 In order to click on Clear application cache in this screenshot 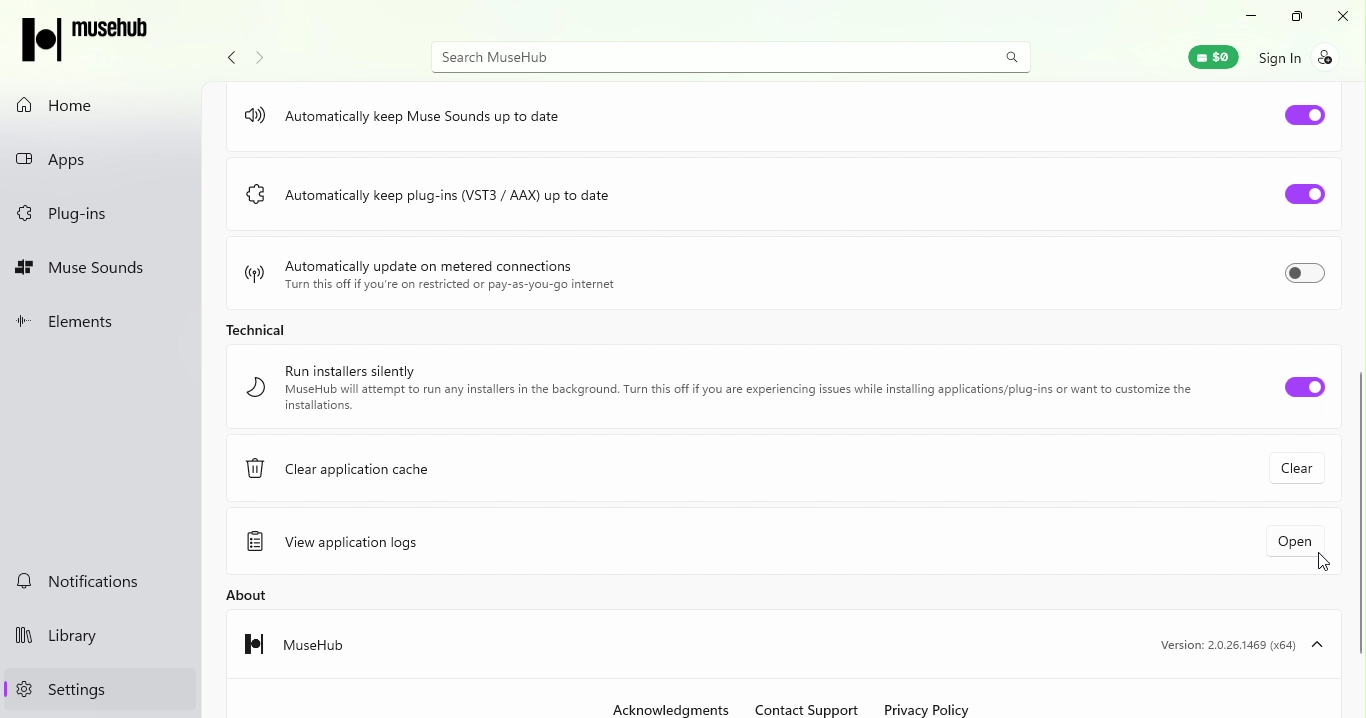, I will do `click(341, 464)`.